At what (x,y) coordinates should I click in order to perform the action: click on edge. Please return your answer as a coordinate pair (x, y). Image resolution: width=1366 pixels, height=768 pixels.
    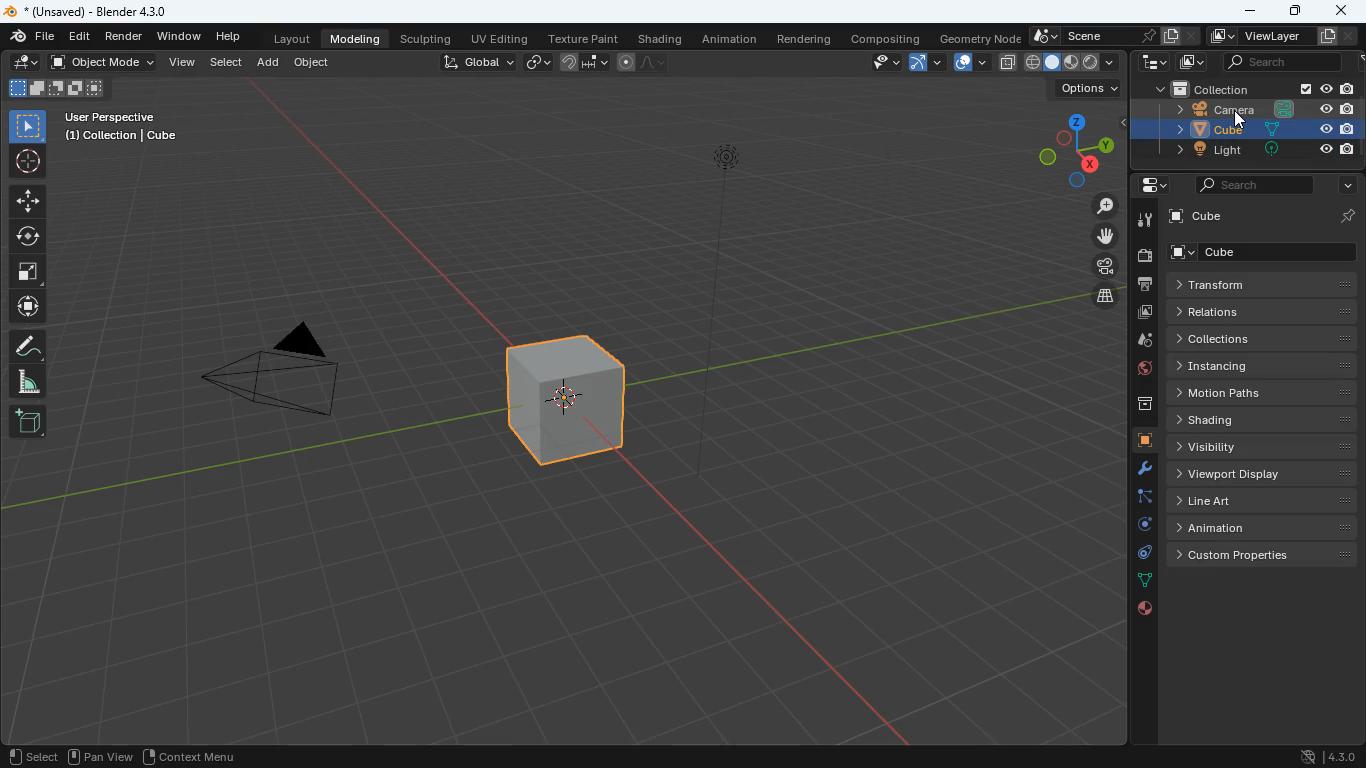
    Looking at the image, I should click on (1136, 498).